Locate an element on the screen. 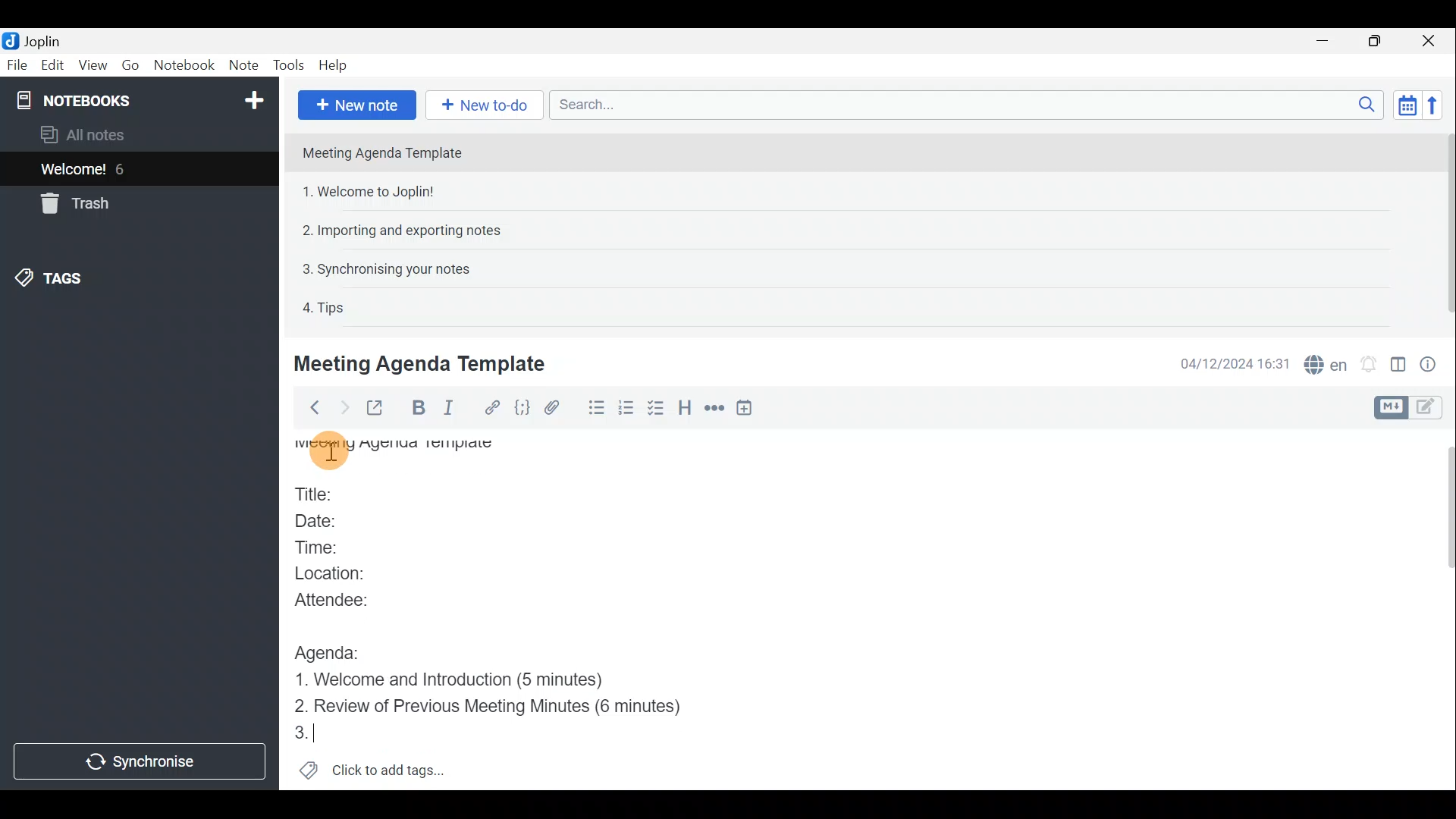 This screenshot has height=819, width=1456. Toggle editors is located at coordinates (1429, 409).